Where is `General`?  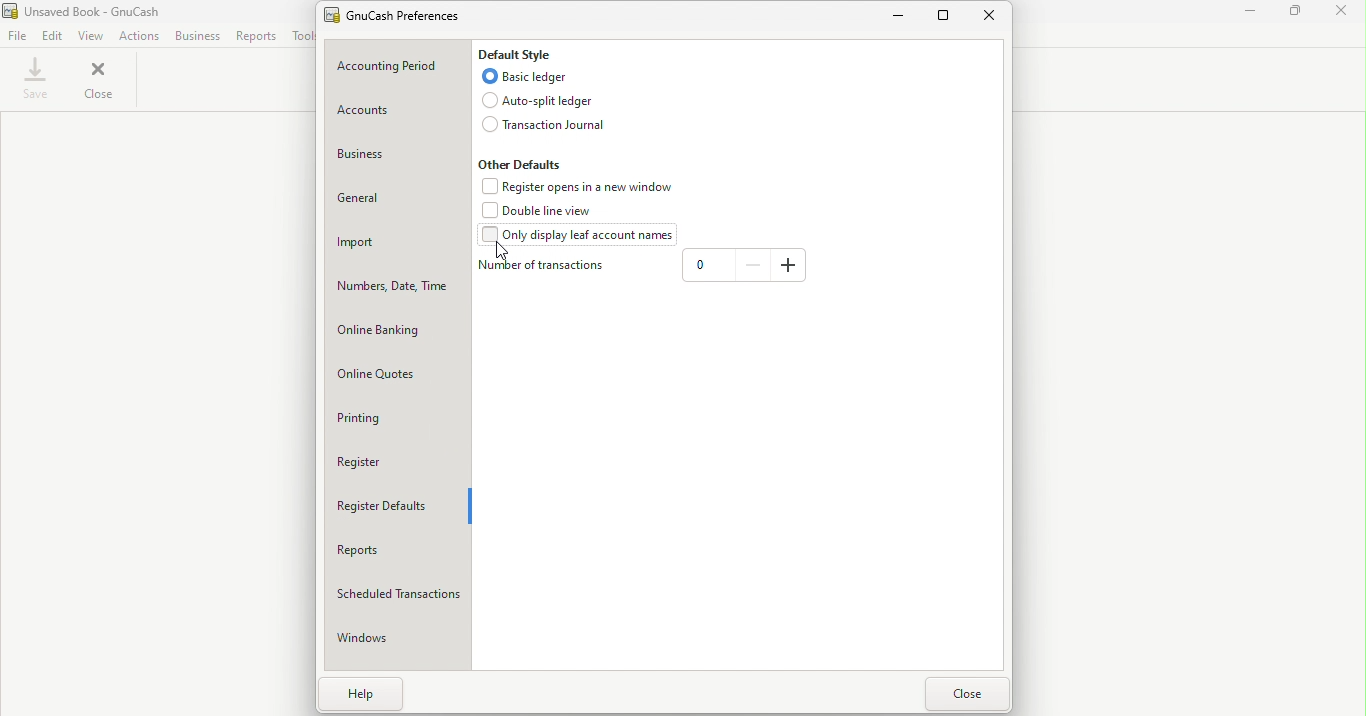
General is located at coordinates (398, 202).